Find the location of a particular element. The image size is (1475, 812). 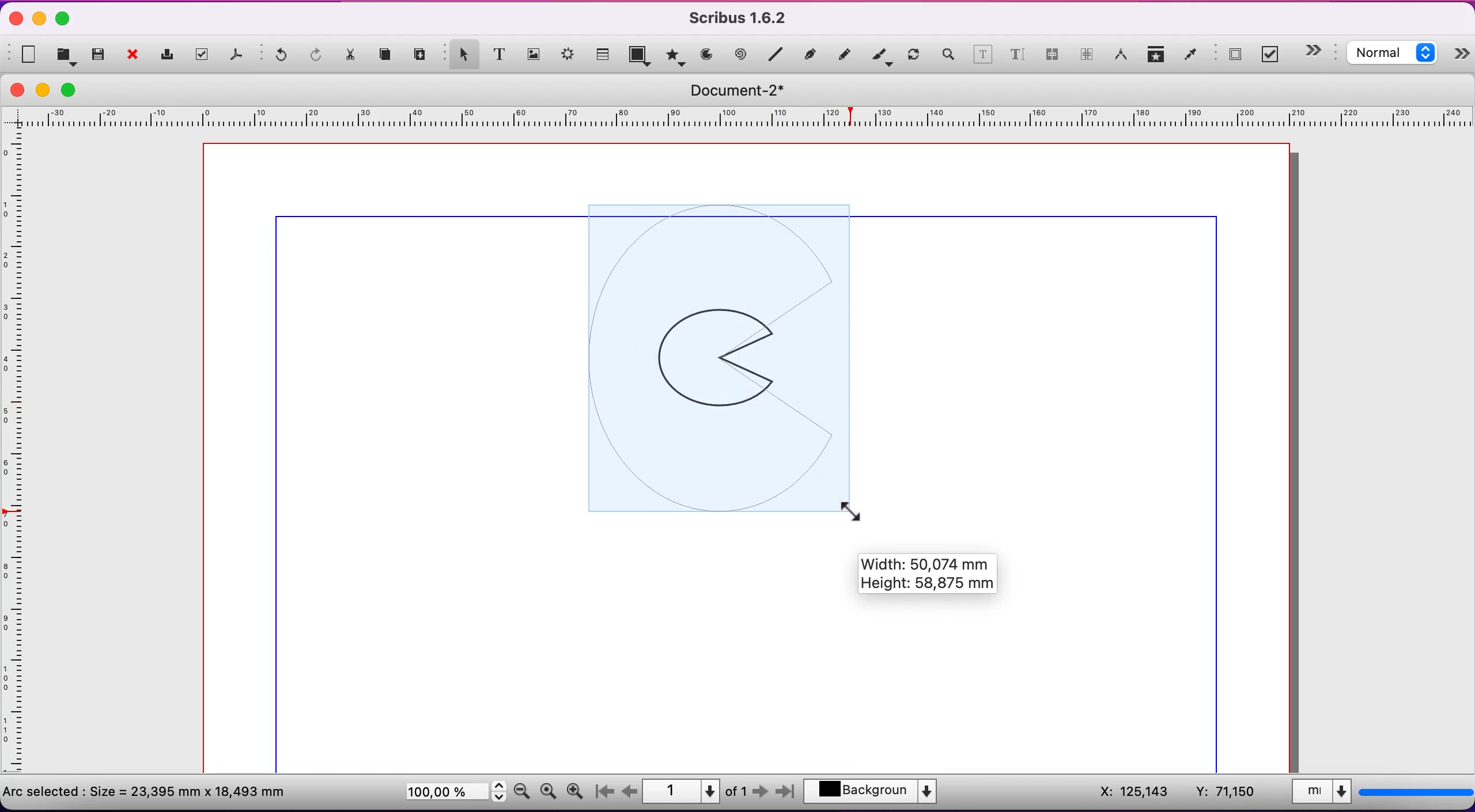

cut is located at coordinates (352, 58).